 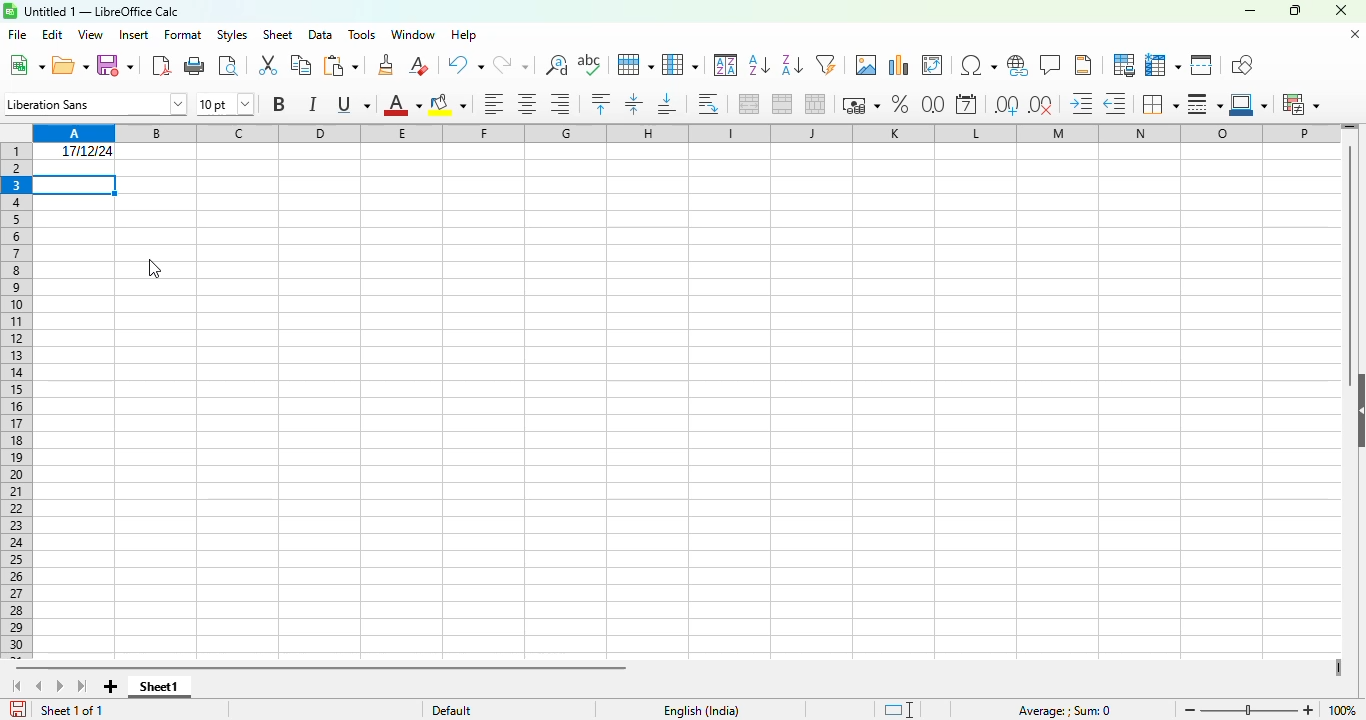 I want to click on align top, so click(x=601, y=103).